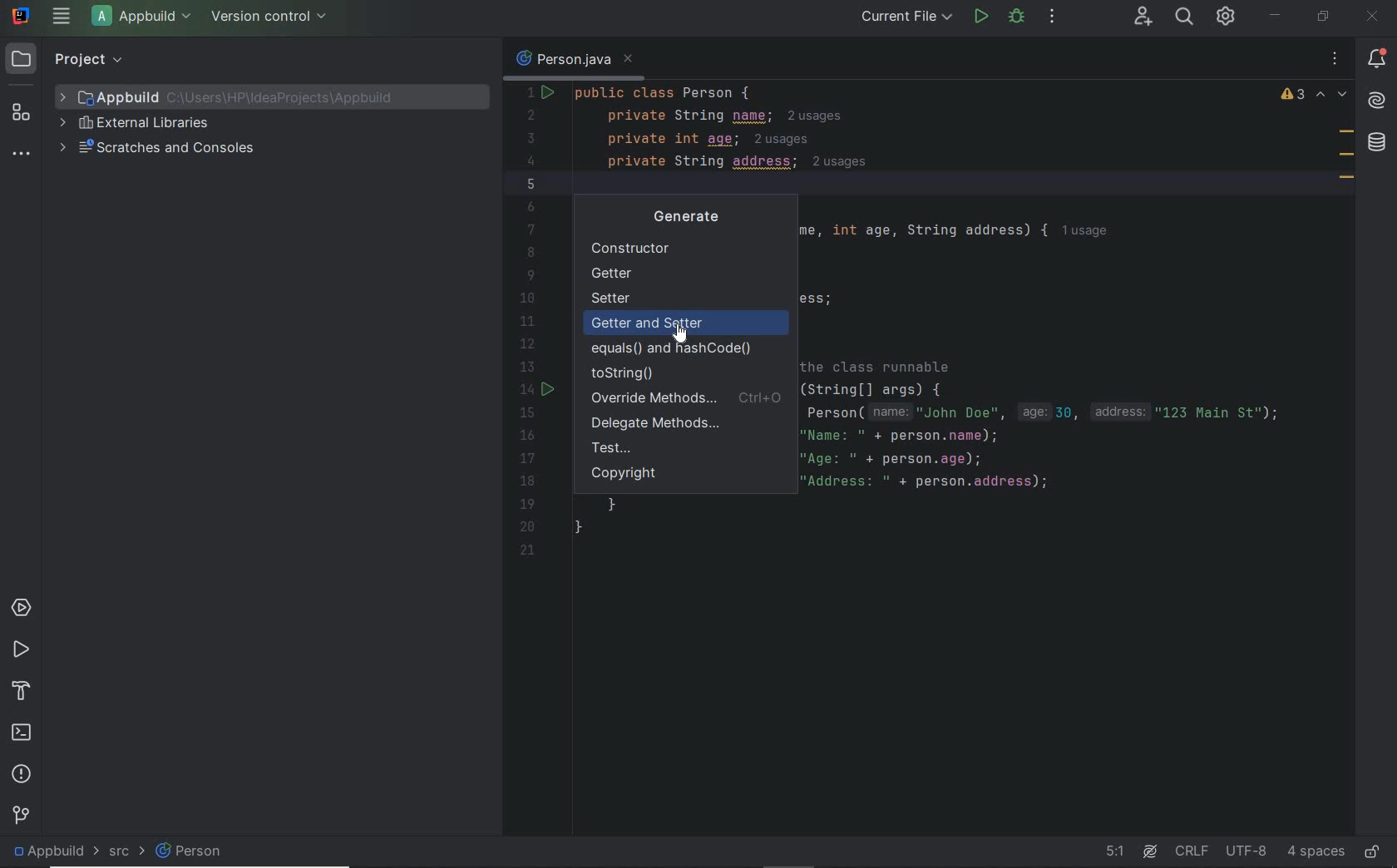 The height and width of the screenshot is (868, 1397). Describe the element at coordinates (240, 96) in the screenshot. I see `project file name` at that location.